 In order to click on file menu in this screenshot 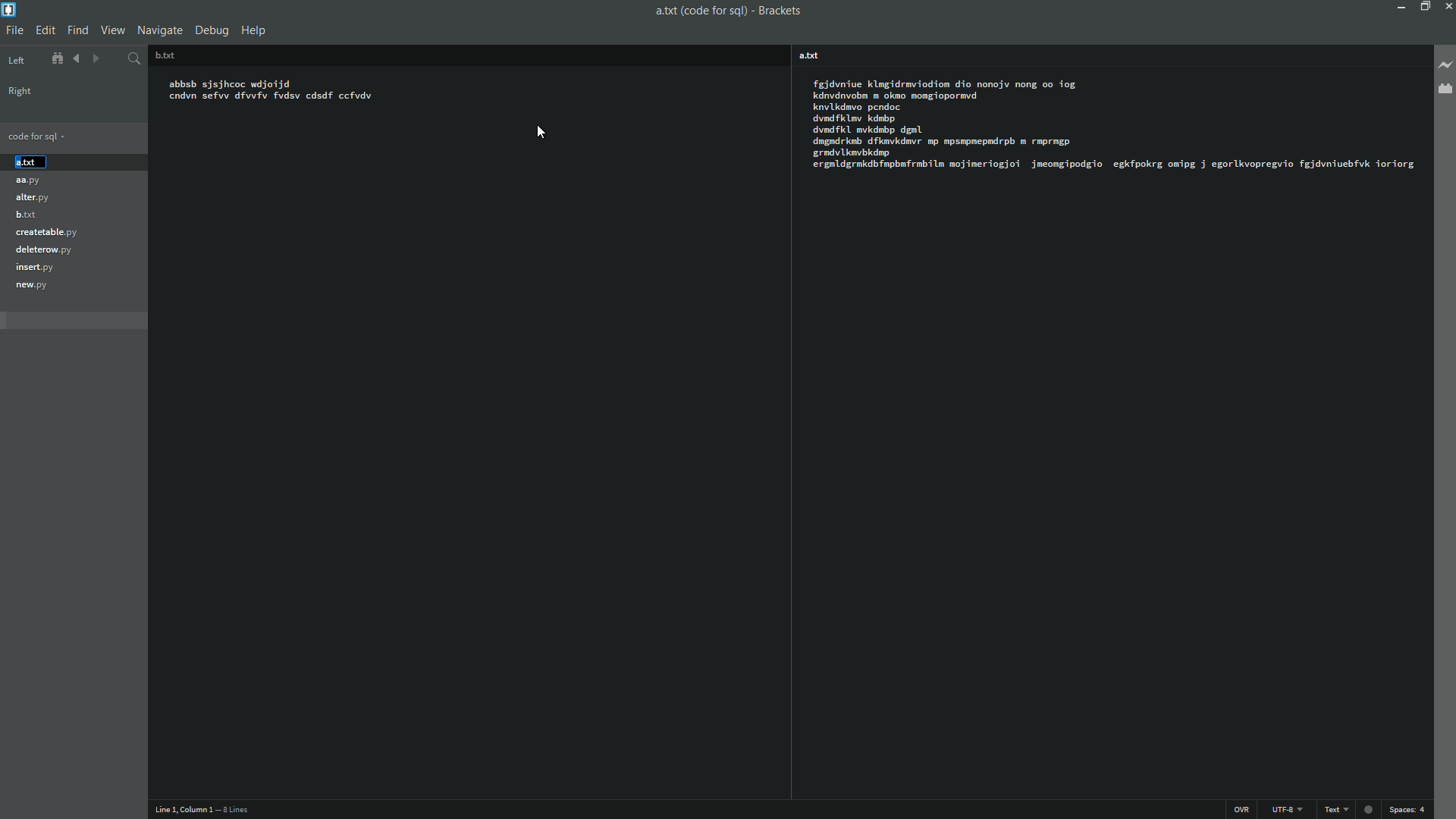, I will do `click(14, 31)`.